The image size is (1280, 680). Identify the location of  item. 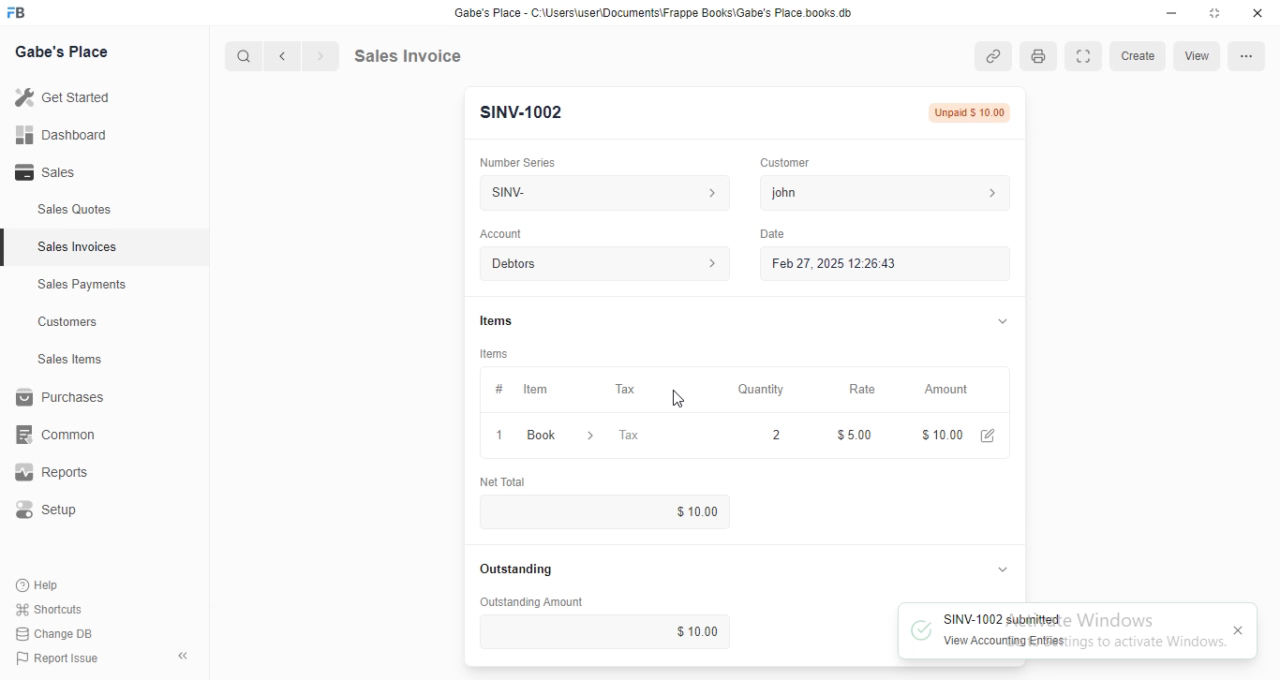
(536, 389).